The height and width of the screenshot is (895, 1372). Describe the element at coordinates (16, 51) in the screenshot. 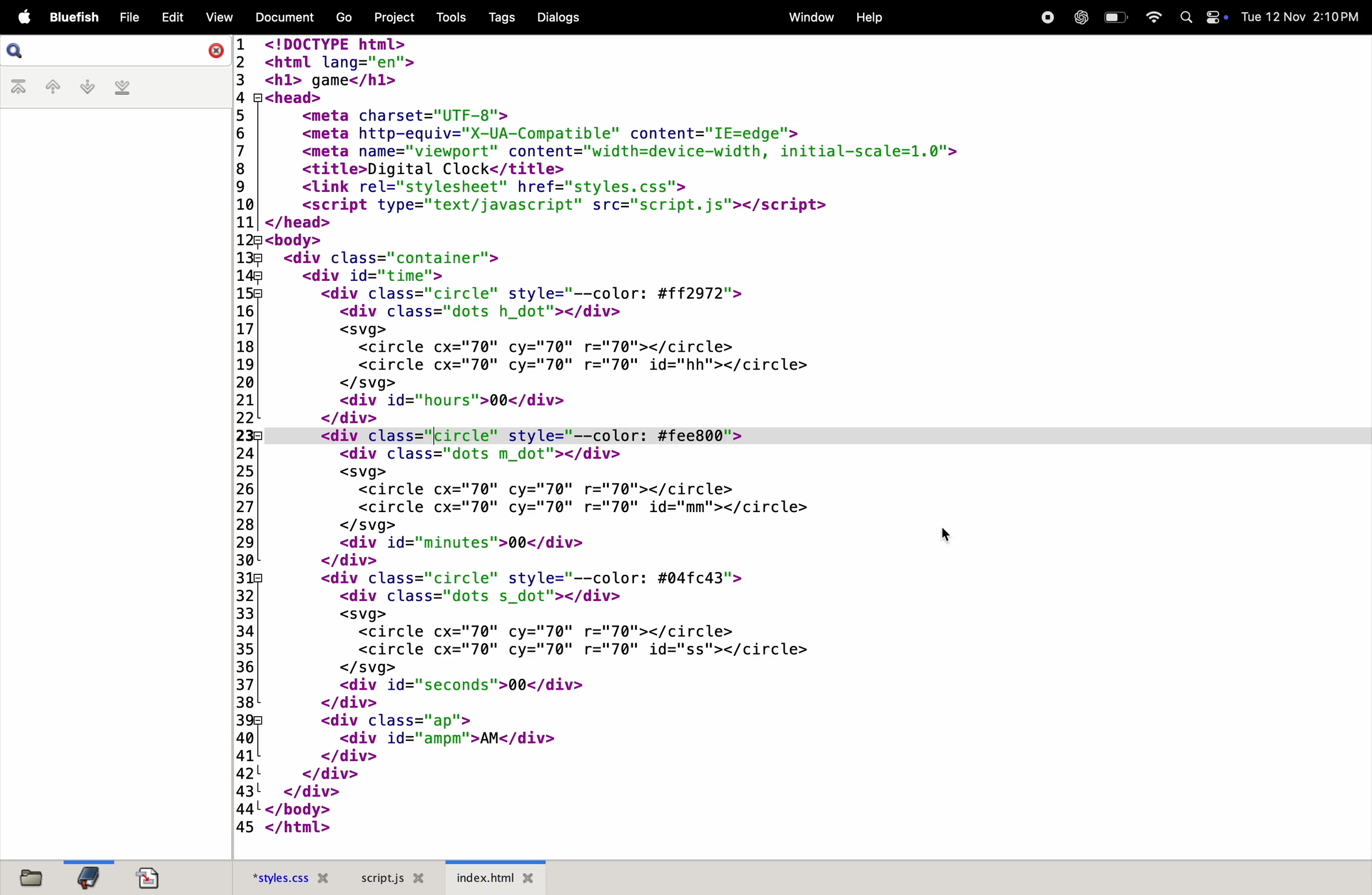

I see `search bar` at that location.